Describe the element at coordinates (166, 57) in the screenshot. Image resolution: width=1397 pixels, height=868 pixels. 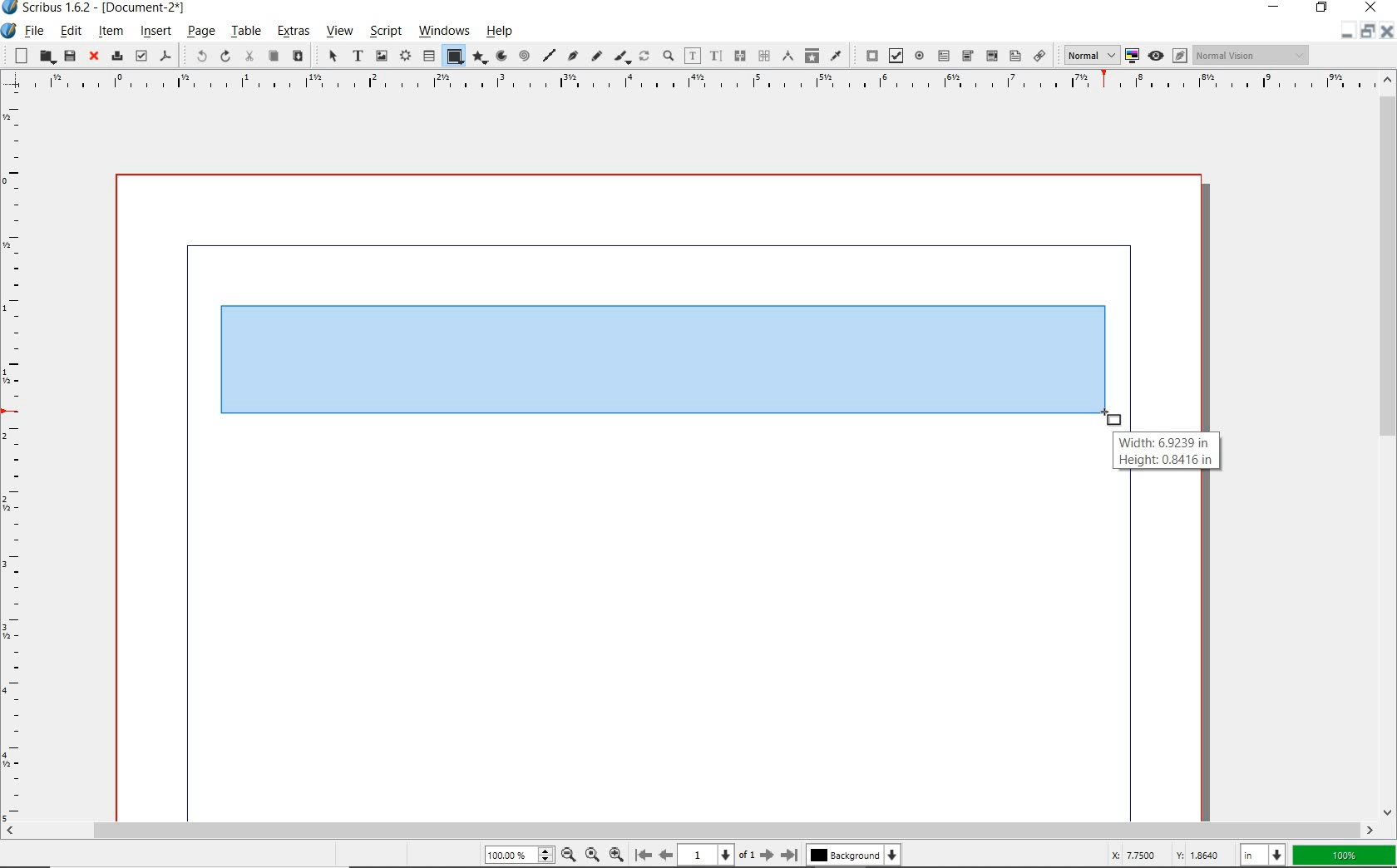
I see `save as pdf` at that location.